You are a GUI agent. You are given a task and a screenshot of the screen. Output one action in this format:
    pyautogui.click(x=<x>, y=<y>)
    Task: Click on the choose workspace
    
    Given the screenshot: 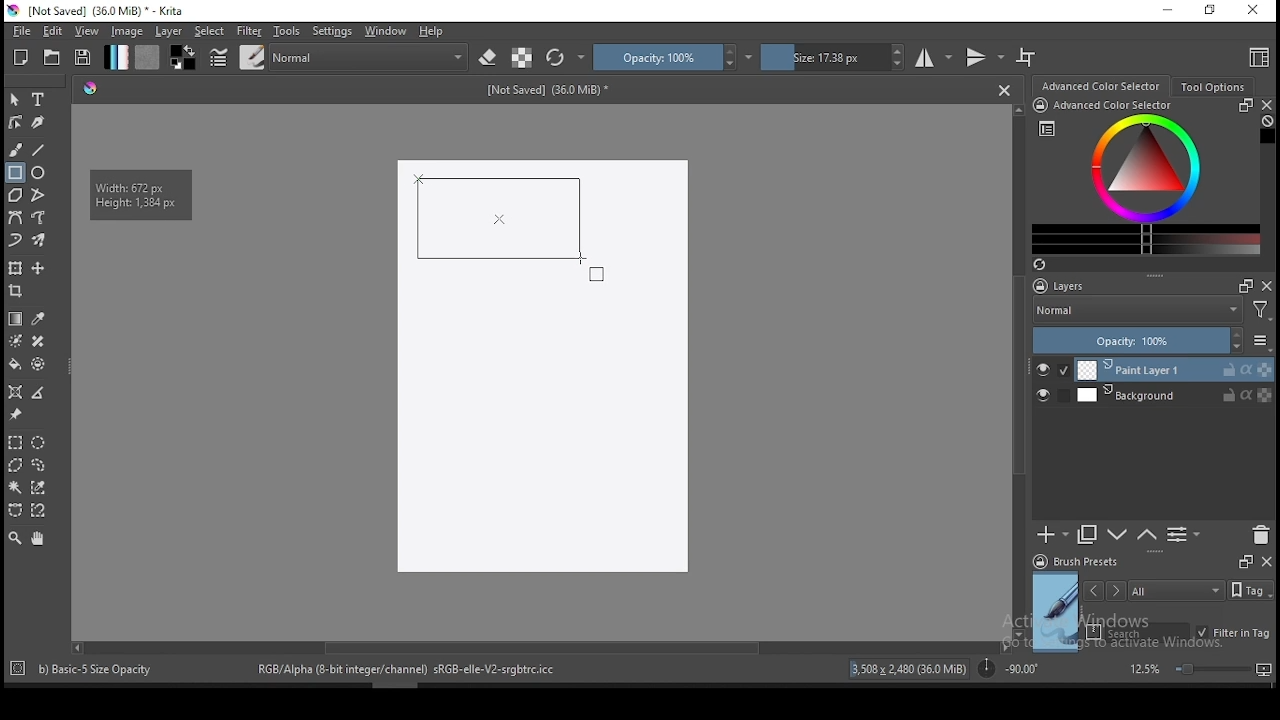 What is the action you would take?
    pyautogui.click(x=1257, y=57)
    